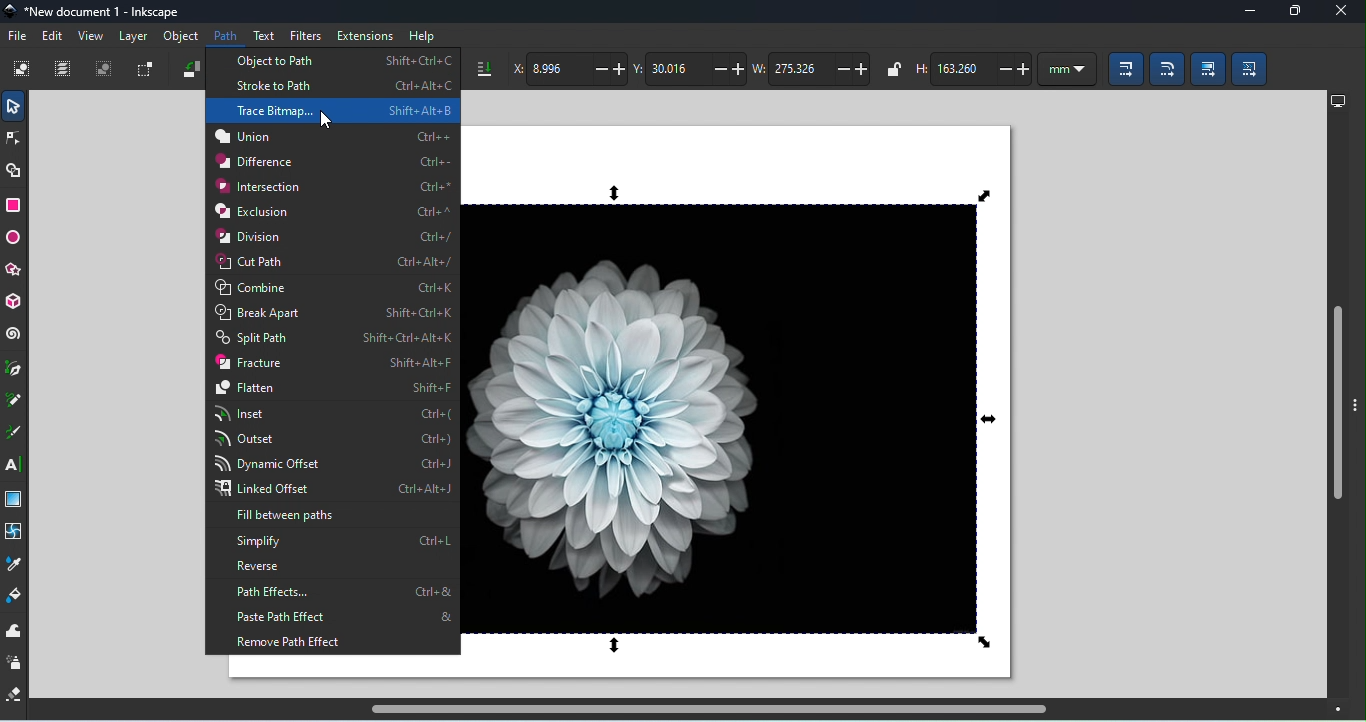 This screenshot has width=1366, height=722. I want to click on Reverse, so click(321, 569).